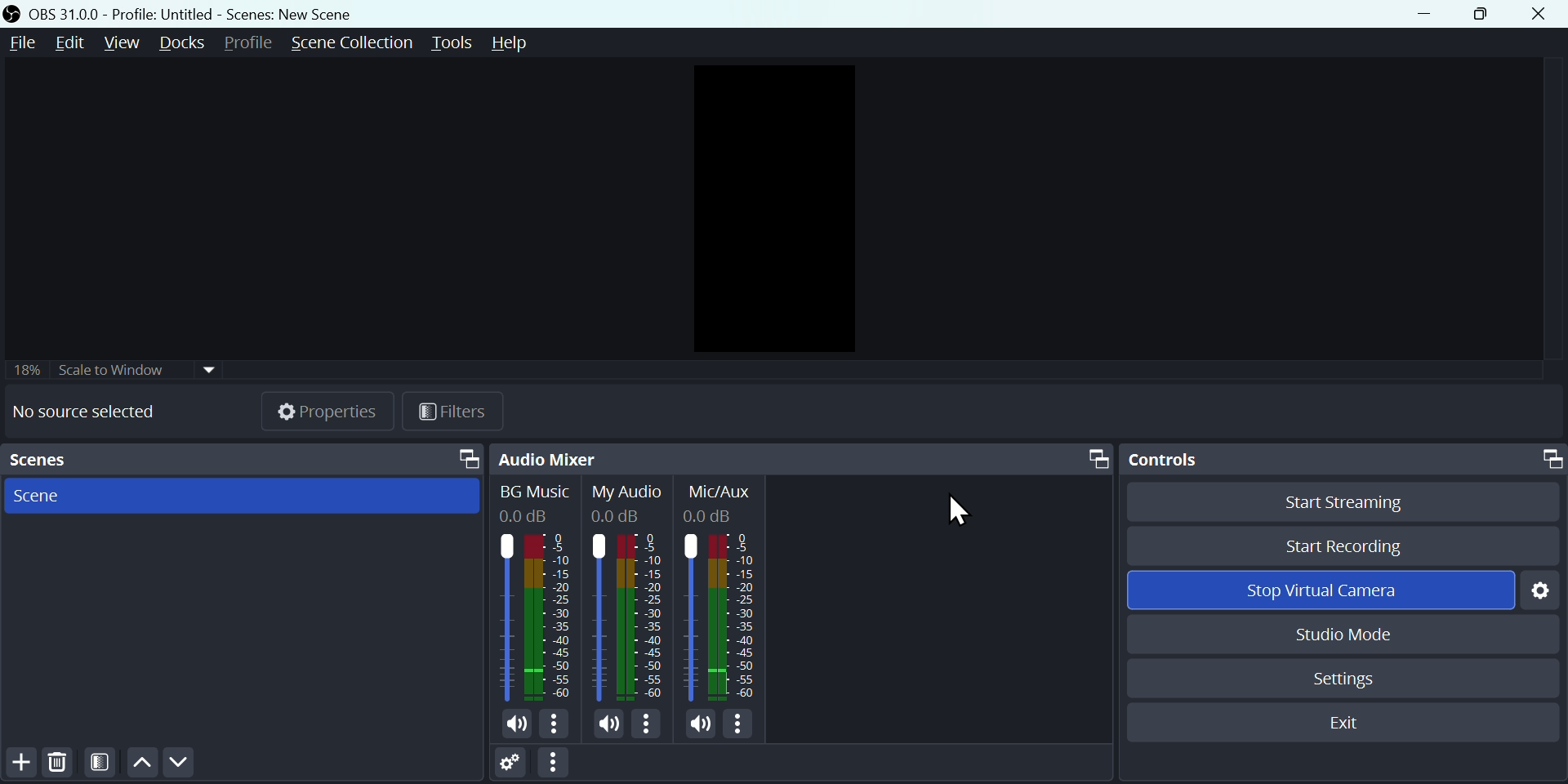 The height and width of the screenshot is (784, 1568). What do you see at coordinates (453, 414) in the screenshot?
I see `Filter` at bounding box center [453, 414].